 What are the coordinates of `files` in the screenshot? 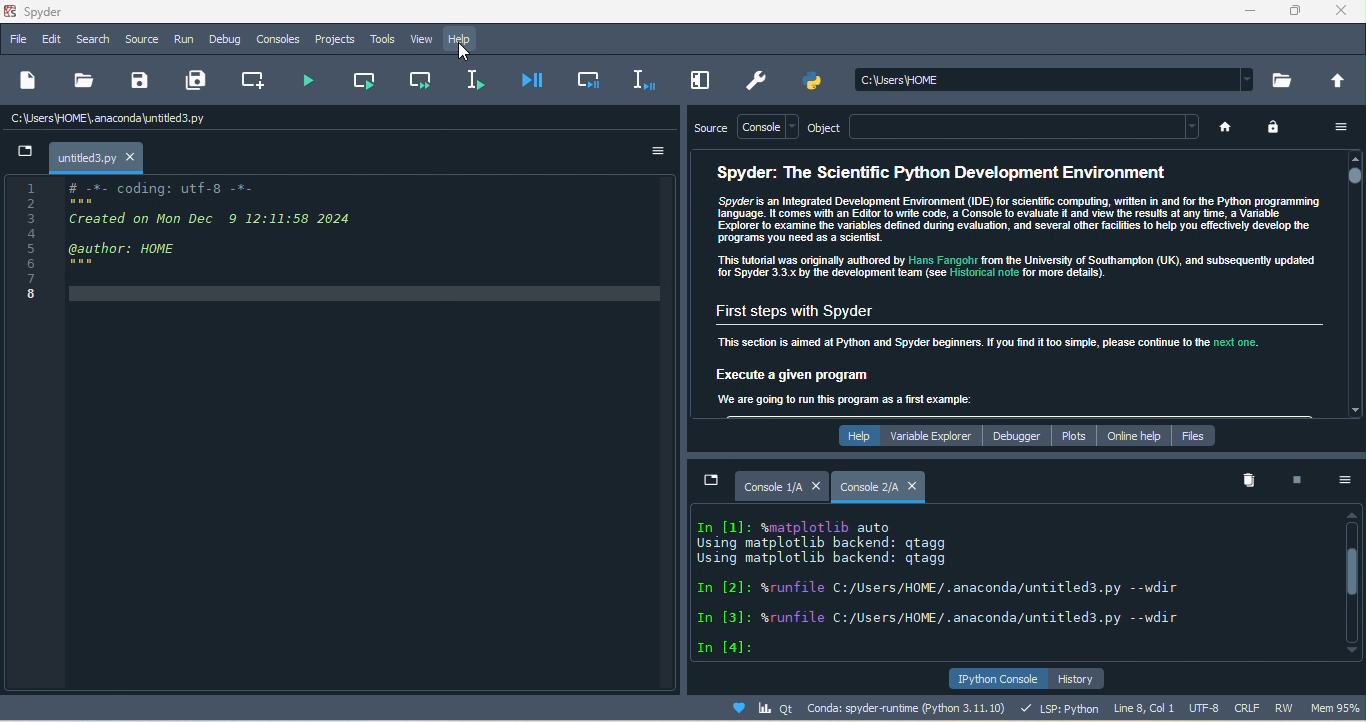 It's located at (1199, 434).